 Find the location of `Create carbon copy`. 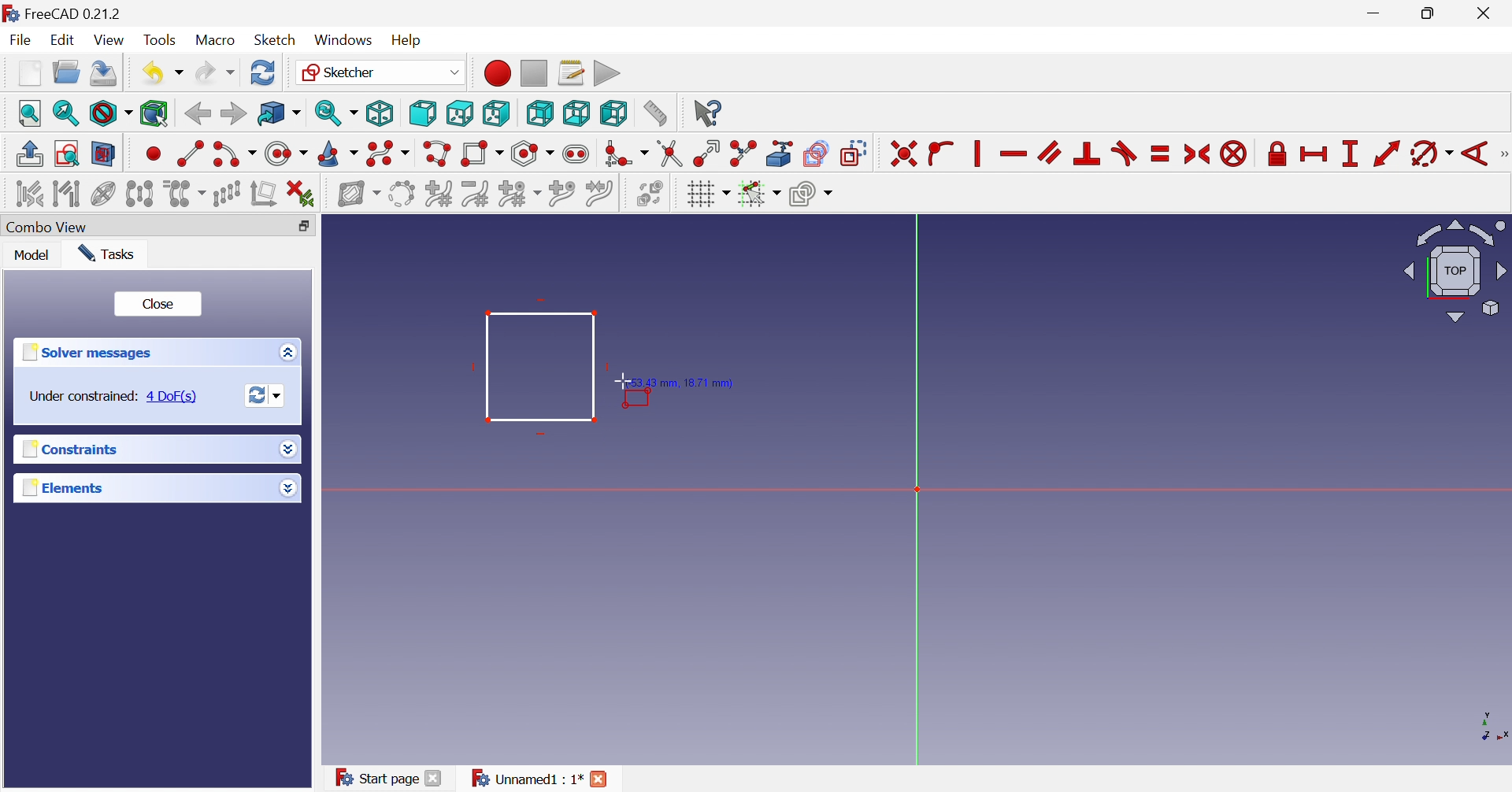

Create carbon copy is located at coordinates (816, 153).